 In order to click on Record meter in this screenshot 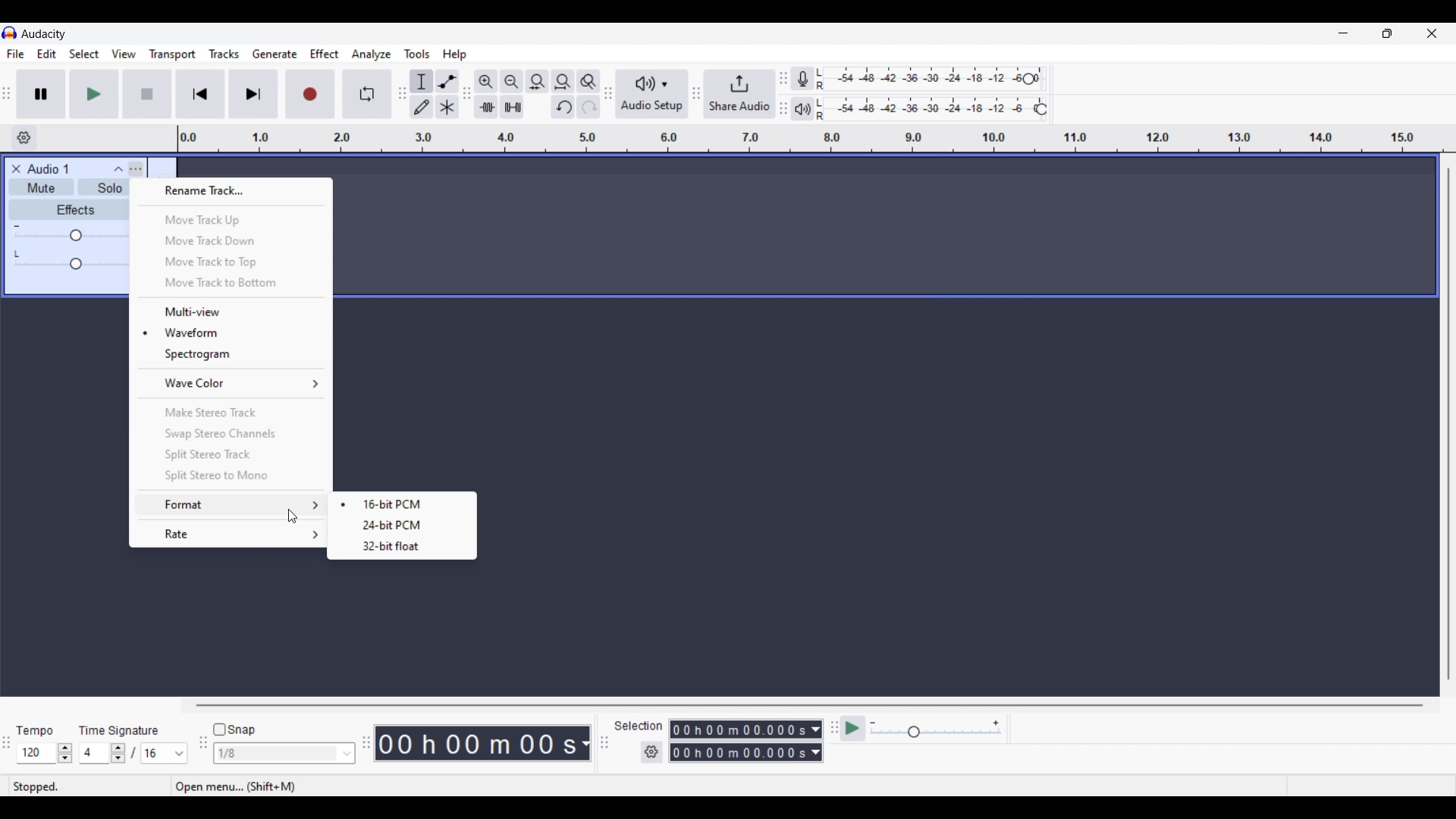, I will do `click(811, 79)`.